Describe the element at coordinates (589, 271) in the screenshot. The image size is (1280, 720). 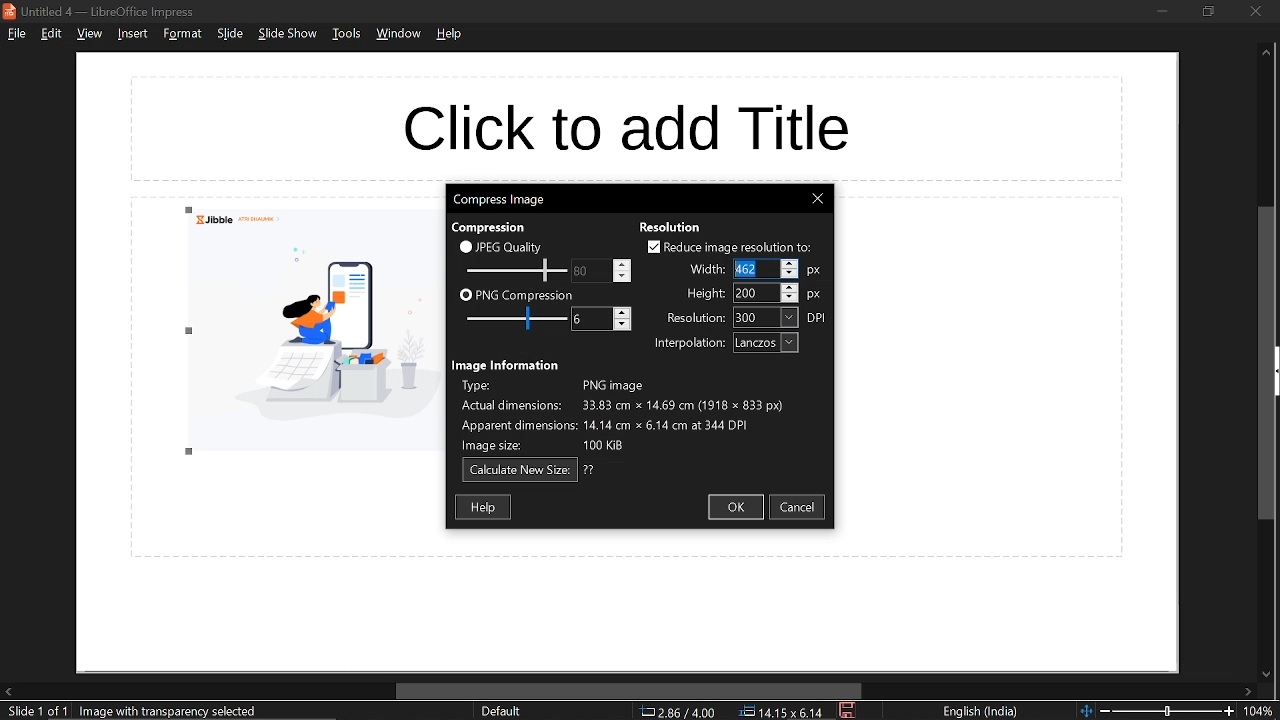
I see `PNG compression scale` at that location.